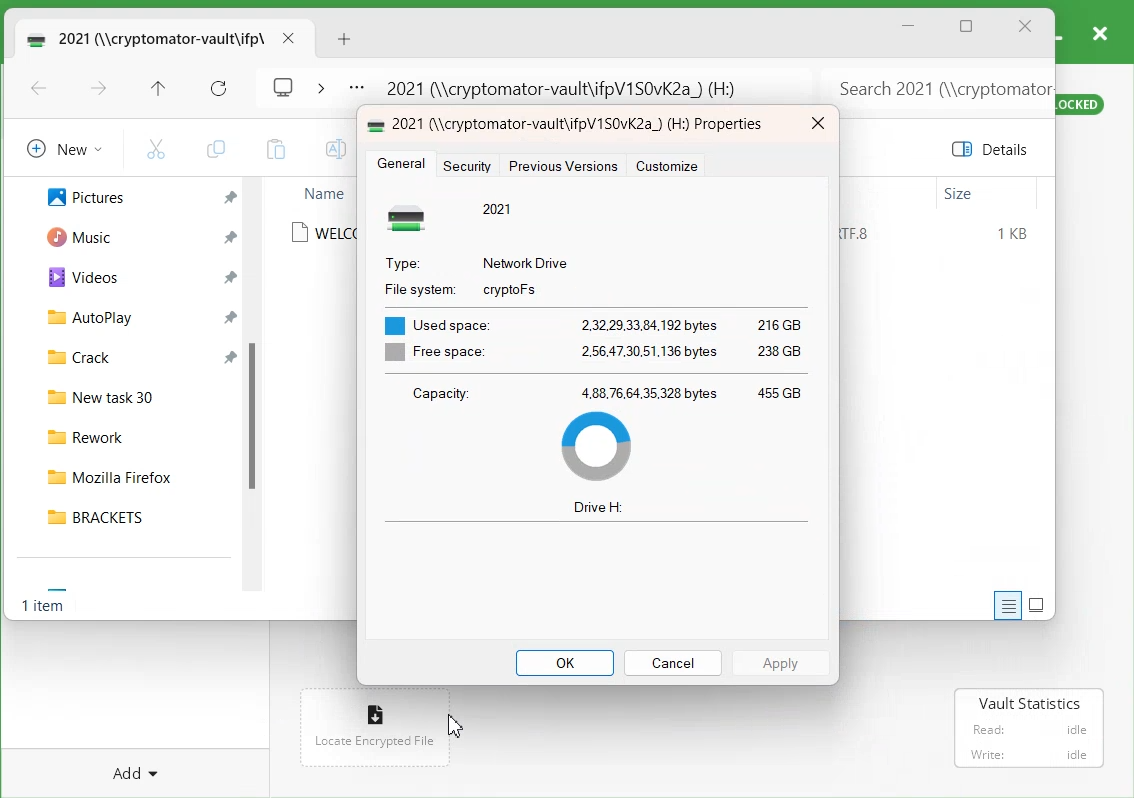  I want to click on React idle, so click(1027, 727).